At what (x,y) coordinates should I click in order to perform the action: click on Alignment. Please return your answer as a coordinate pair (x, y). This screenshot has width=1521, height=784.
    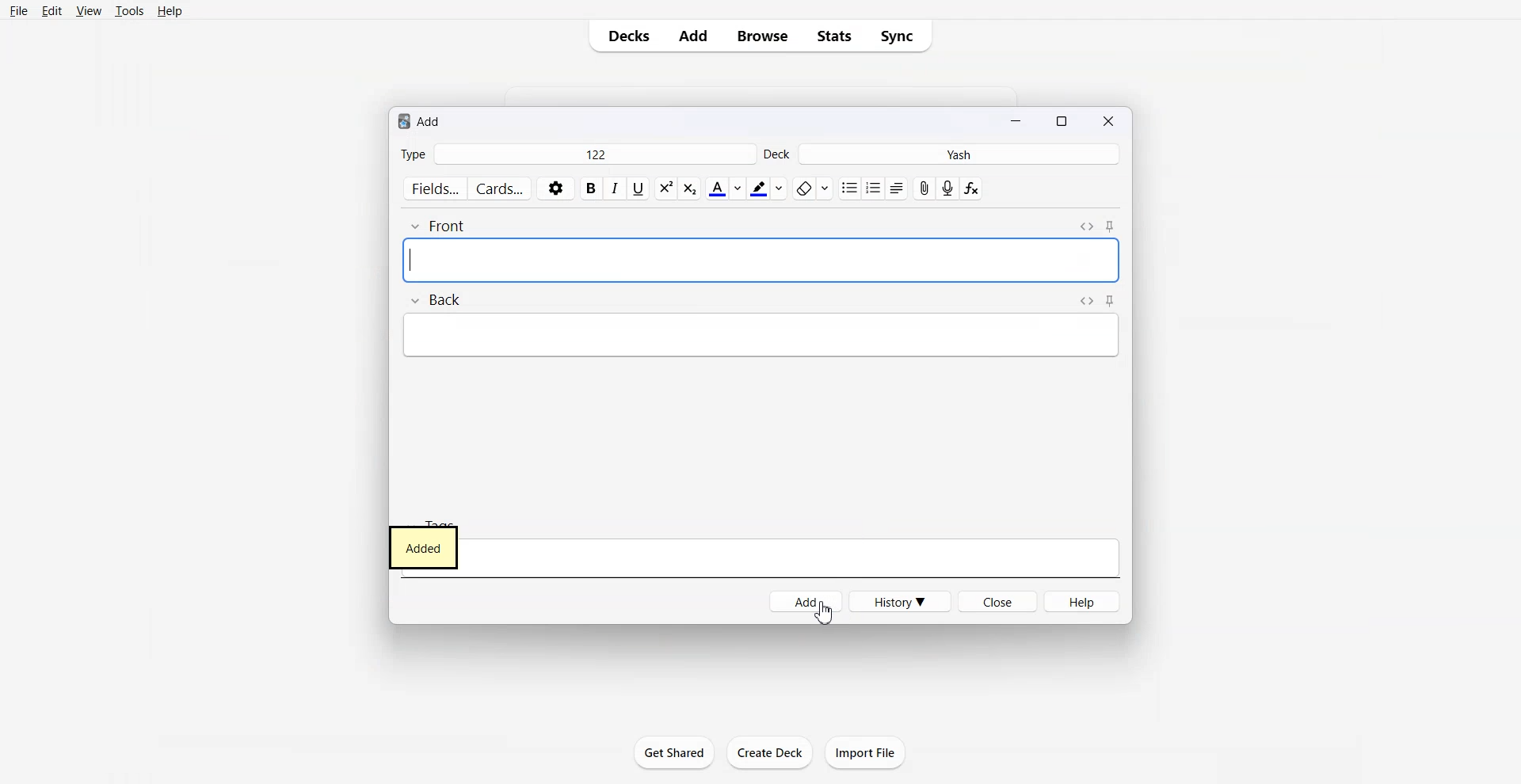
    Looking at the image, I should click on (898, 189).